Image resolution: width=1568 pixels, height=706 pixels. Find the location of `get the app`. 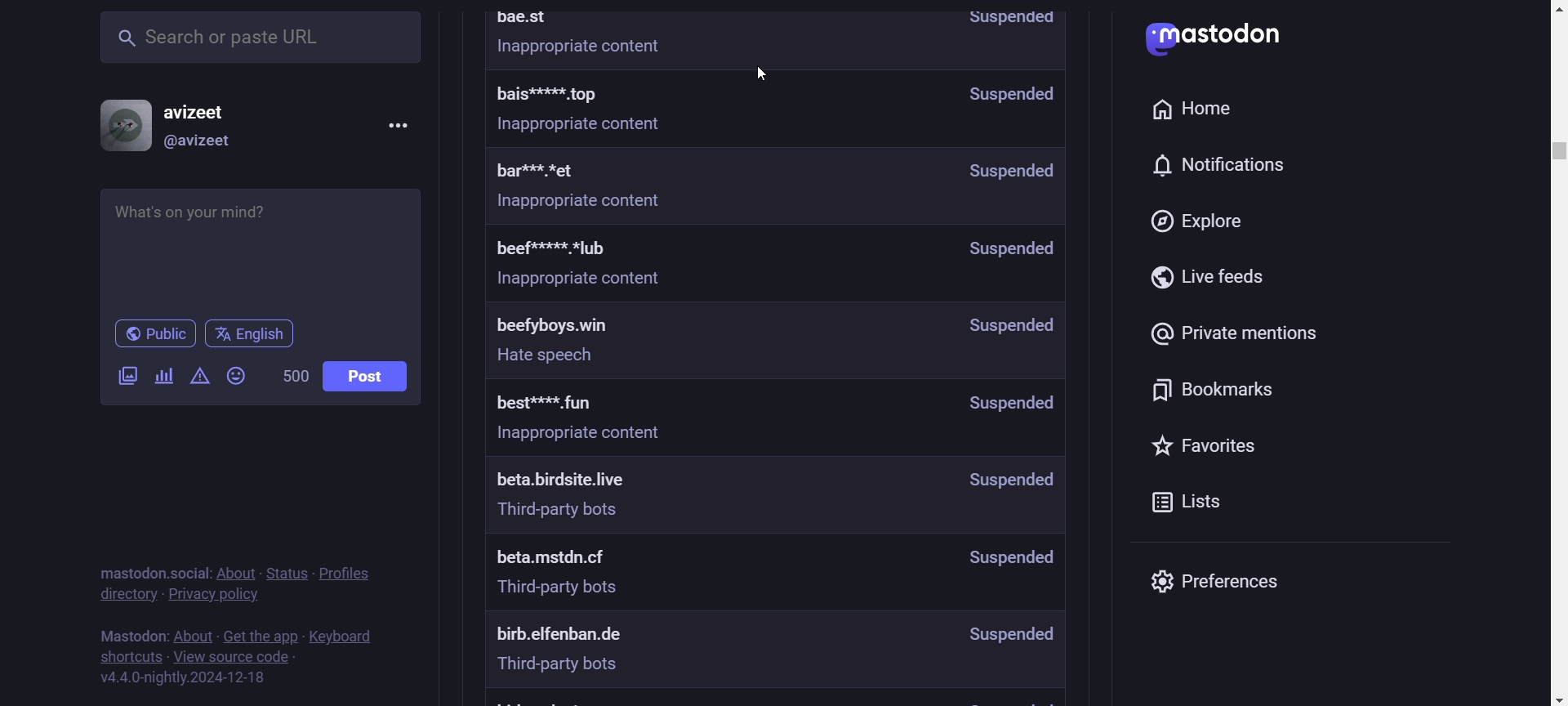

get the app is located at coordinates (261, 634).